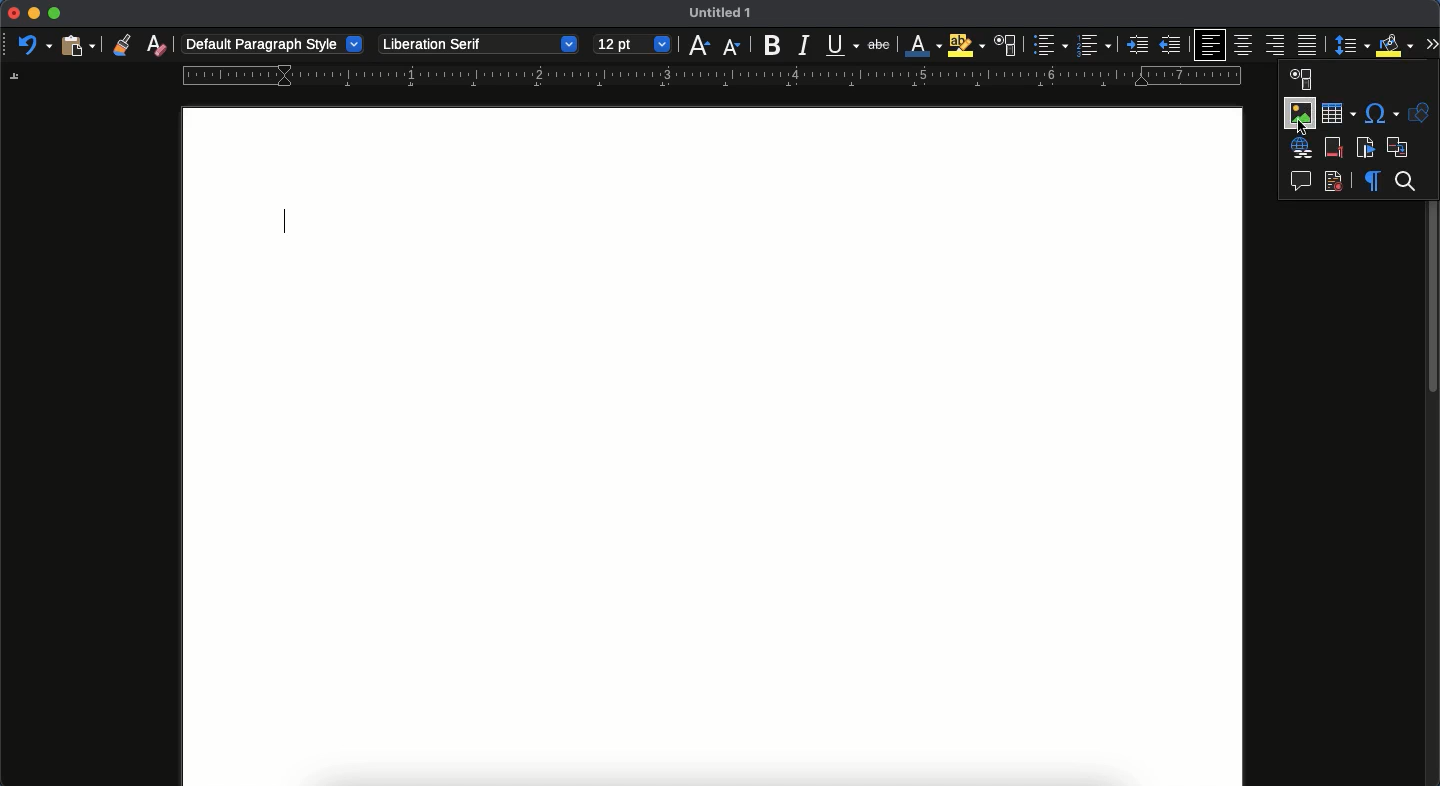  Describe the element at coordinates (1371, 181) in the screenshot. I see `formatting marks` at that location.